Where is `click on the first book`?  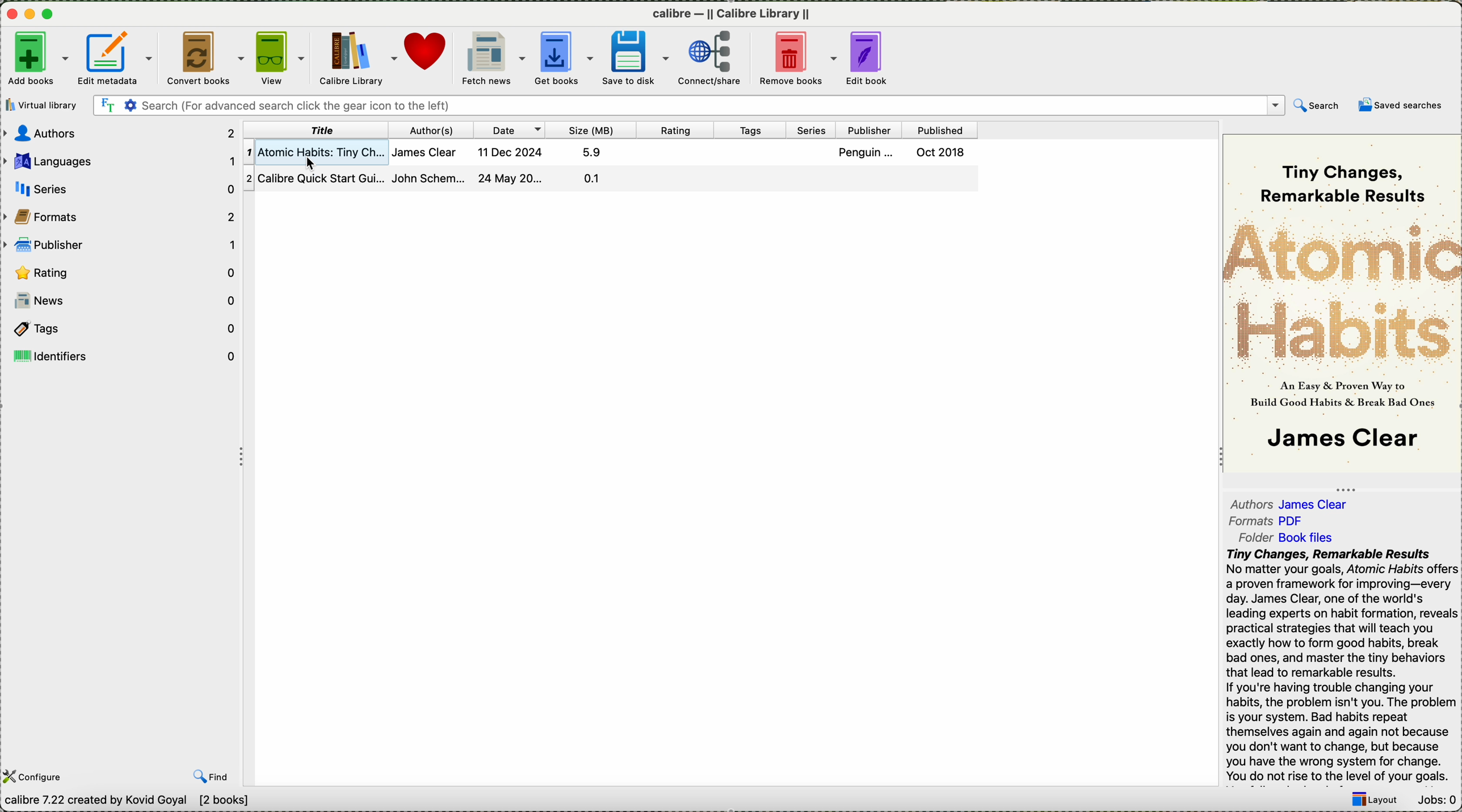
click on the first book is located at coordinates (606, 151).